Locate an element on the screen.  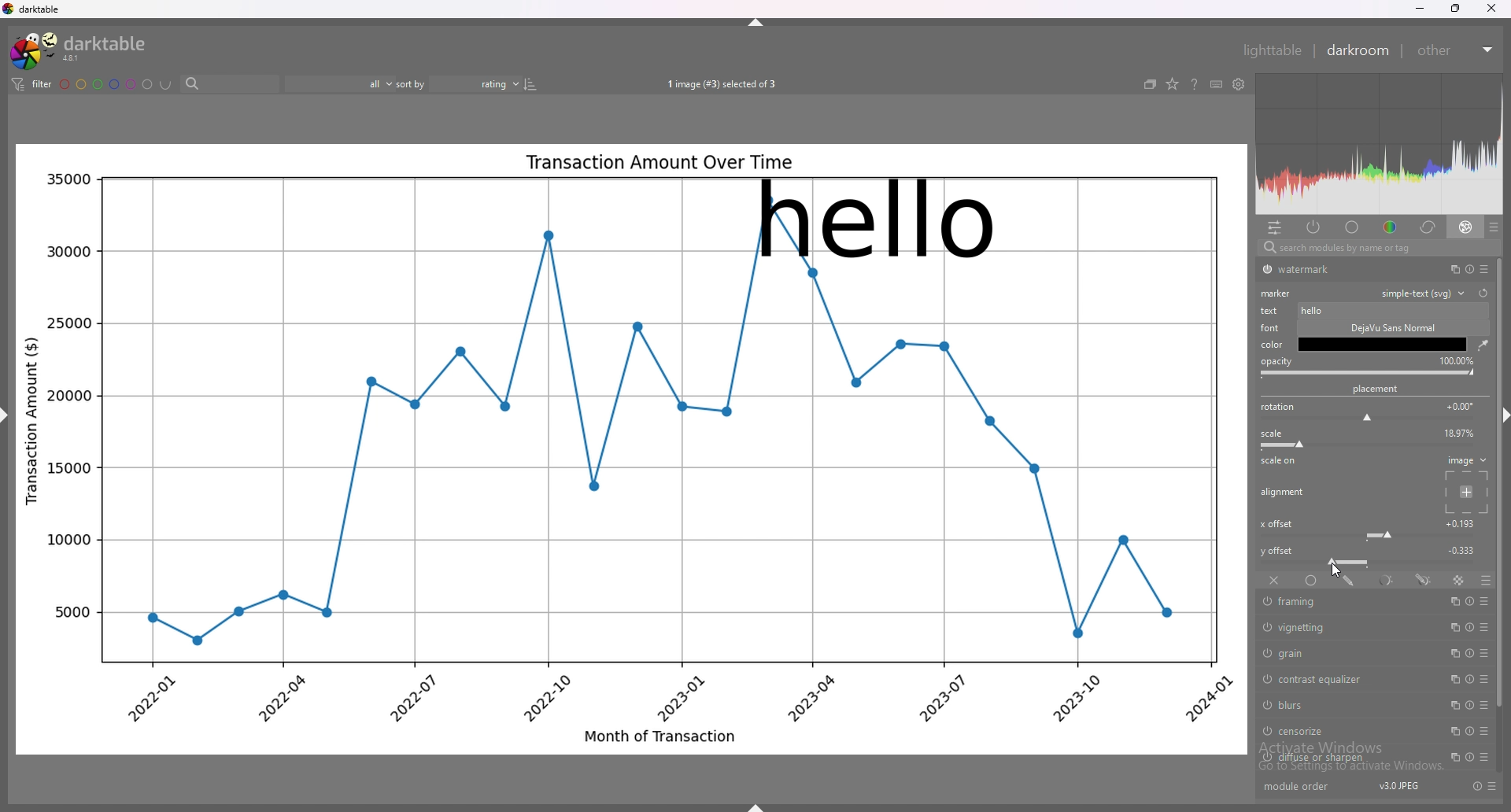
x offset bar is located at coordinates (1369, 537).